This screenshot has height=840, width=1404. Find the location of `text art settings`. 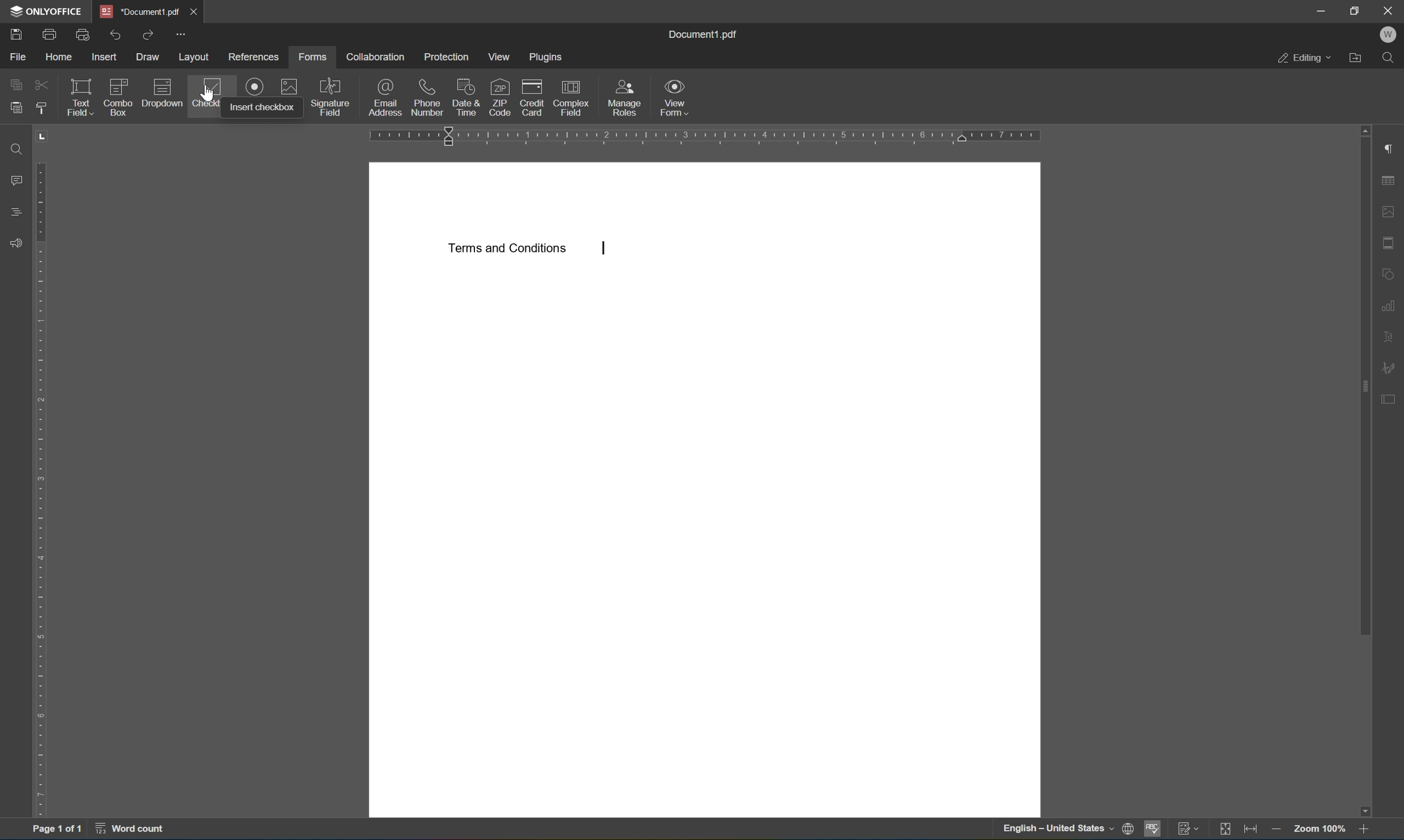

text art settings is located at coordinates (1386, 336).